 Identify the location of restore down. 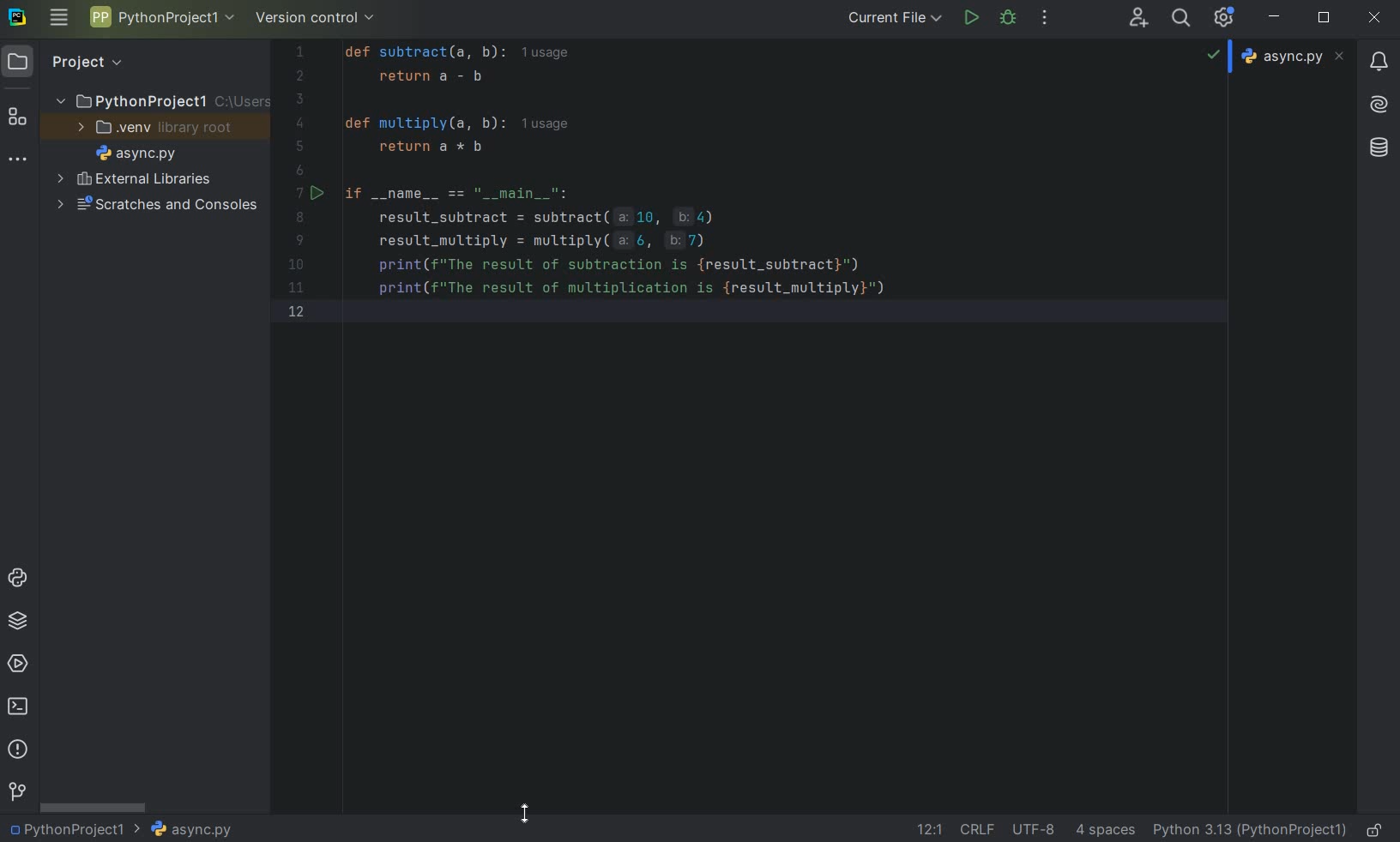
(1325, 19).